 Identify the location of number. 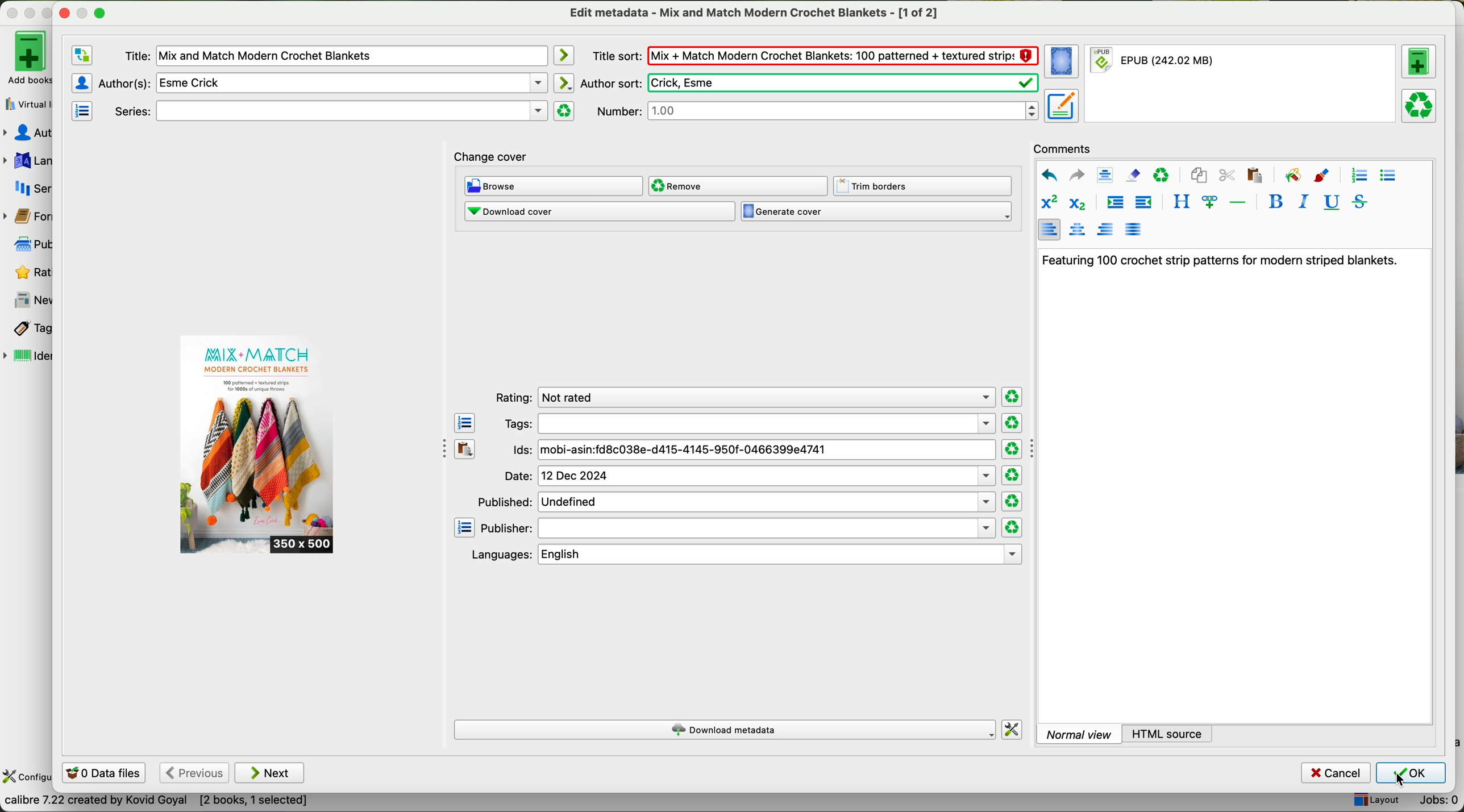
(817, 110).